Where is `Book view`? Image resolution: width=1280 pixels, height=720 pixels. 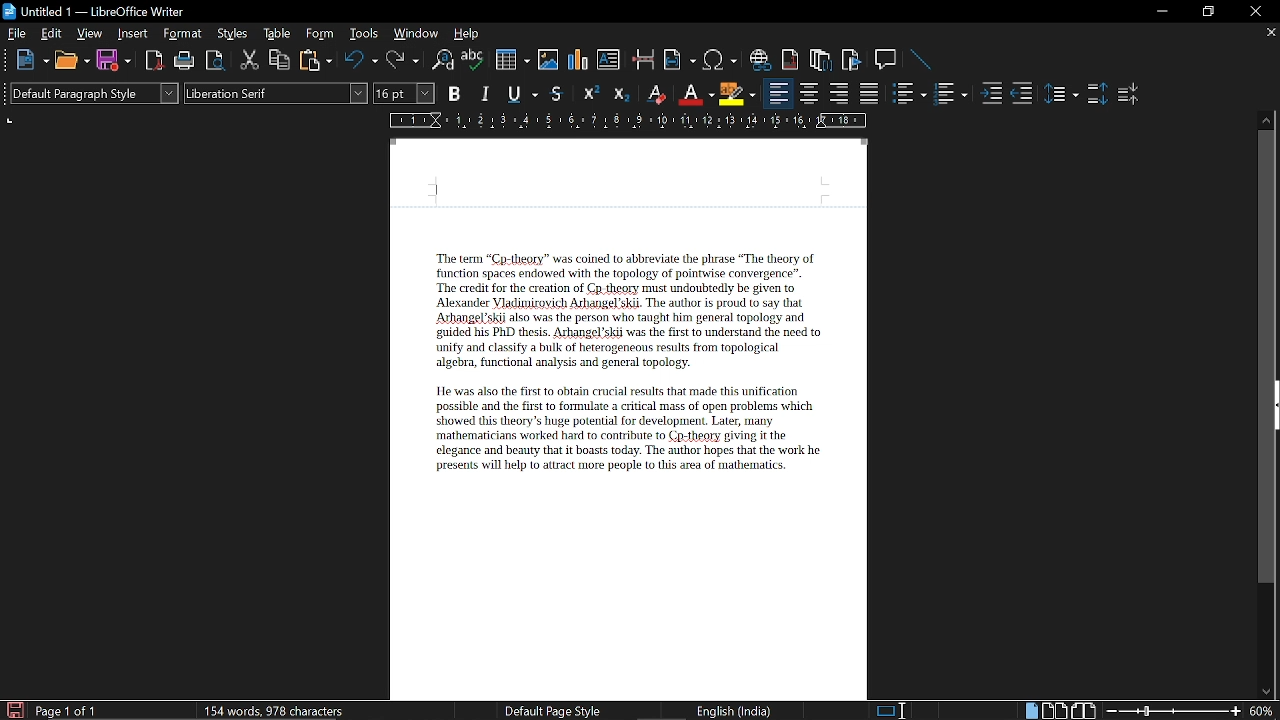 Book view is located at coordinates (1086, 710).